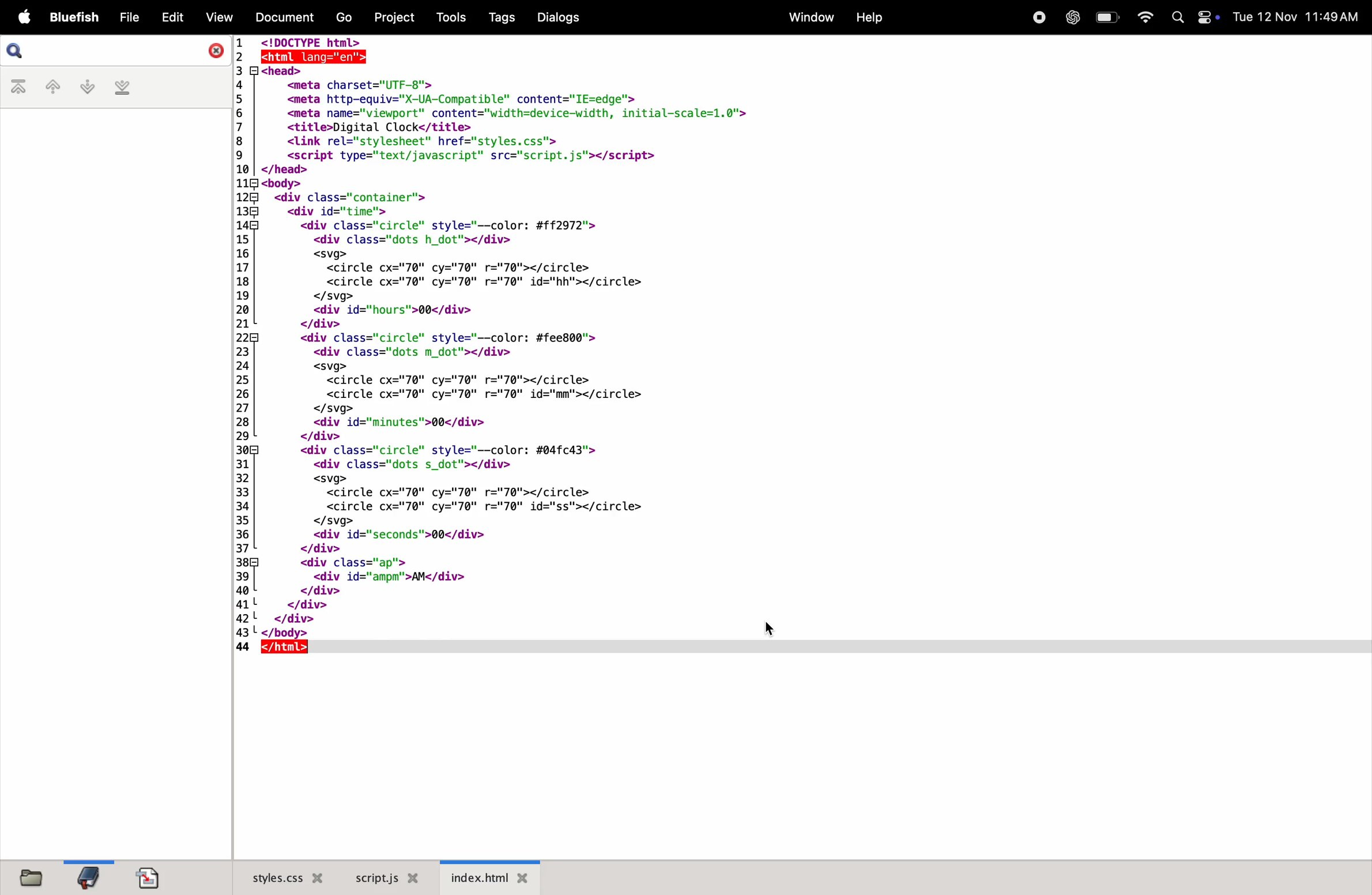 The image size is (1372, 895). Describe the element at coordinates (29, 877) in the screenshot. I see `files` at that location.